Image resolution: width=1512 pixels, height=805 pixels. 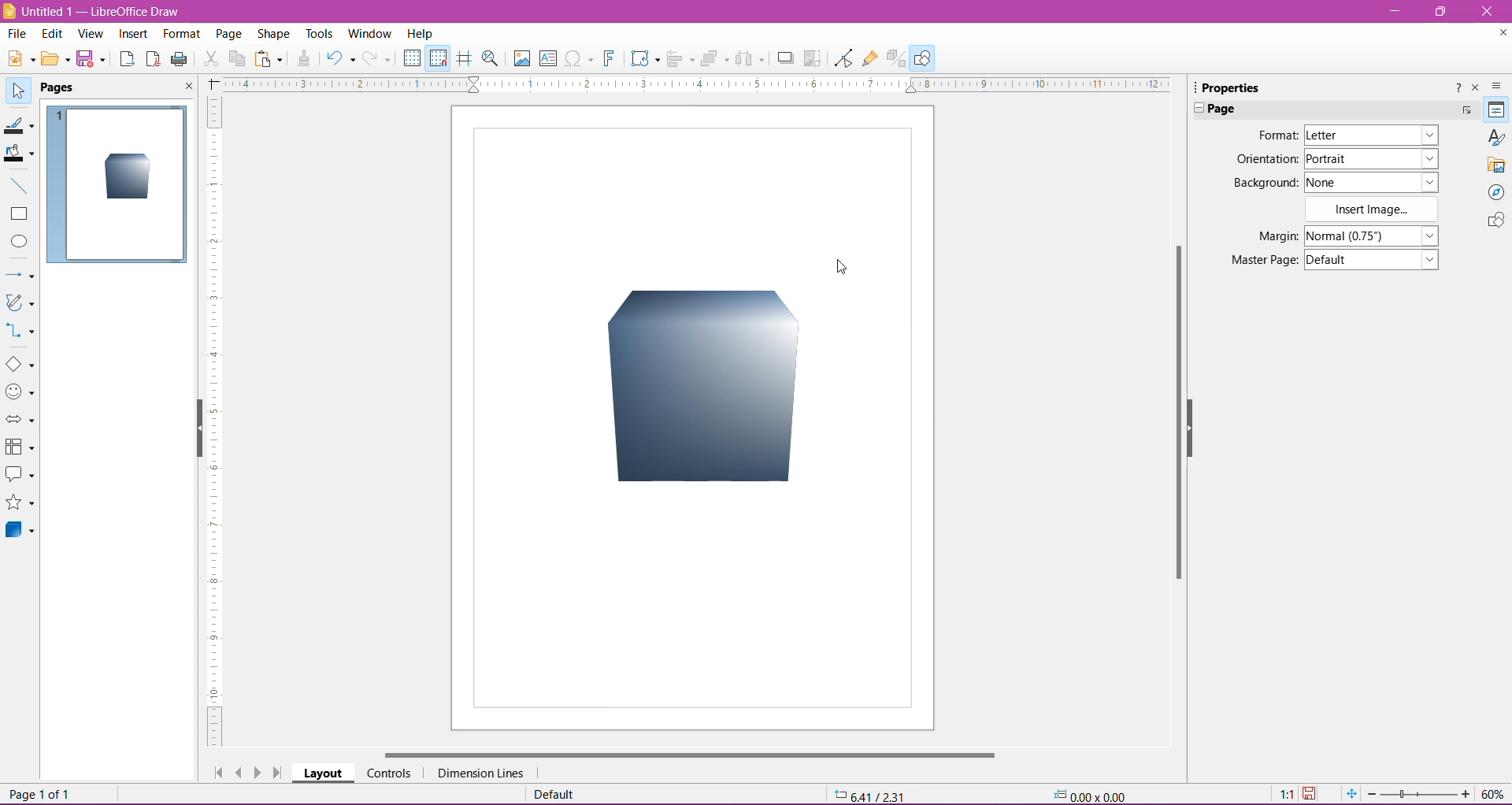 I want to click on Close Sidebar Deck, so click(x=1475, y=88).